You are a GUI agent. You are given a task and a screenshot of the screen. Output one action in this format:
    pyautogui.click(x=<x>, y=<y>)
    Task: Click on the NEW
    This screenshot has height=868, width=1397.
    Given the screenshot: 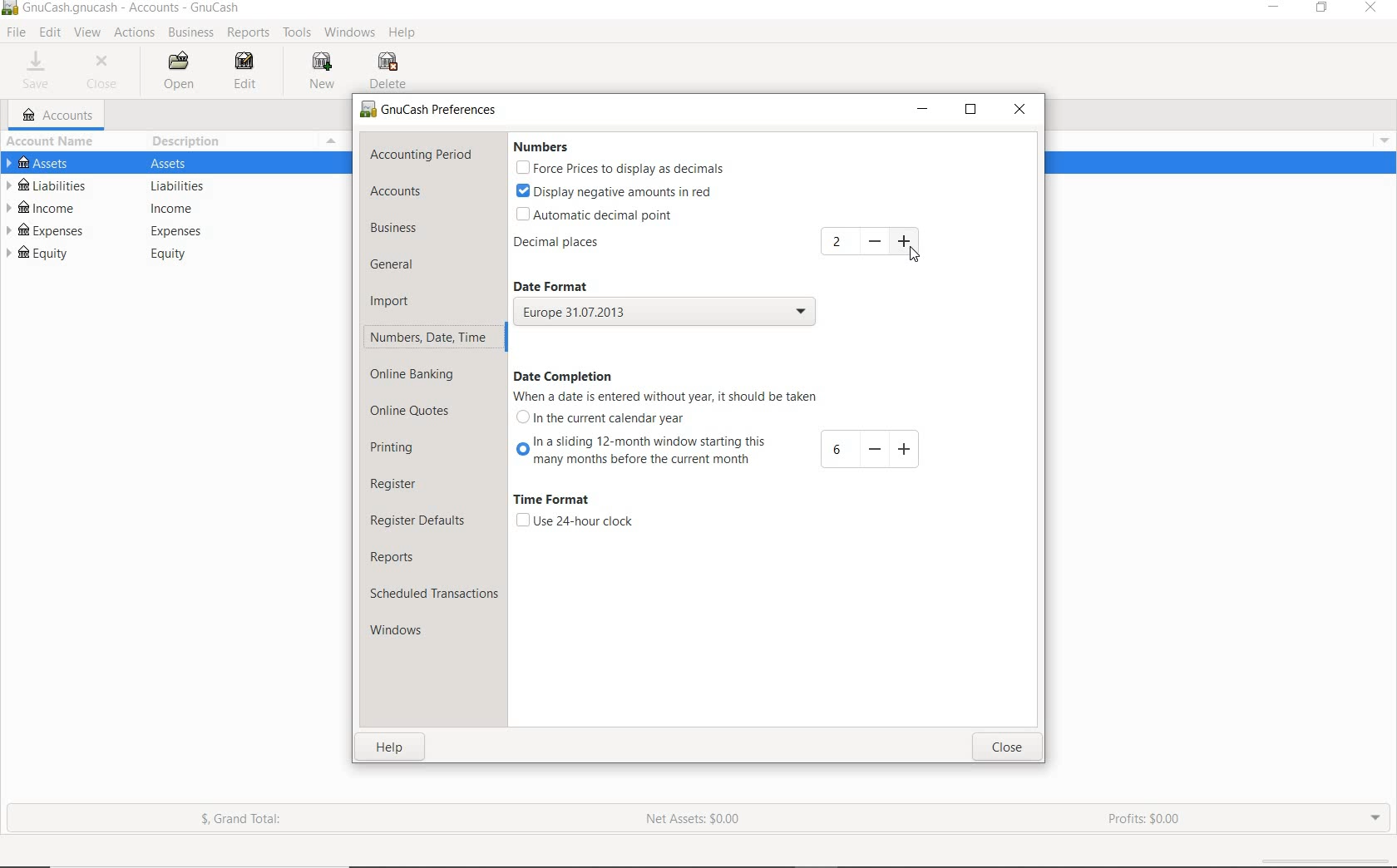 What is the action you would take?
    pyautogui.click(x=320, y=72)
    